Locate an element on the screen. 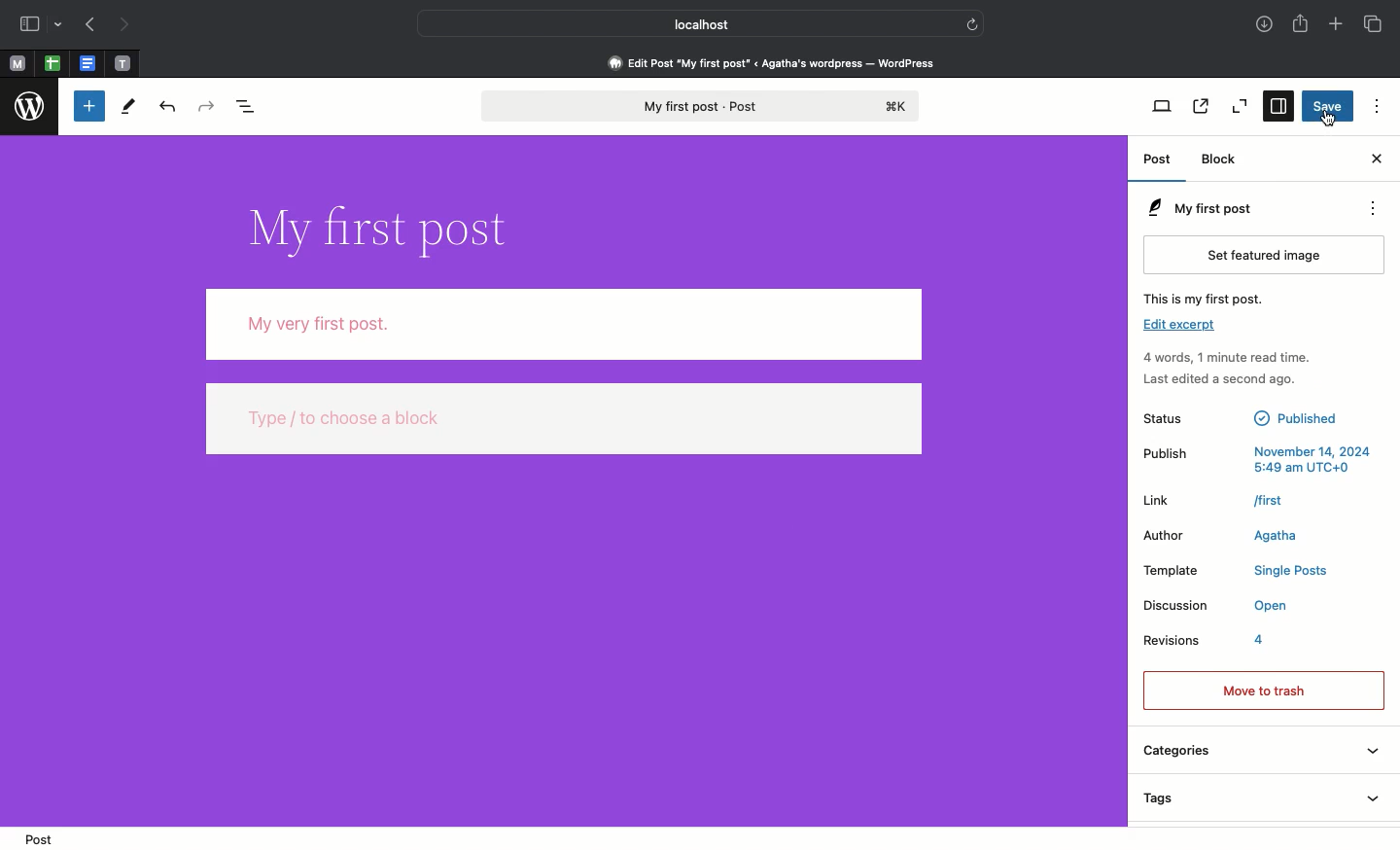 The height and width of the screenshot is (850, 1400). Edit Post "My first post” « Agatha's wordpress — WordPress is located at coordinates (778, 62).